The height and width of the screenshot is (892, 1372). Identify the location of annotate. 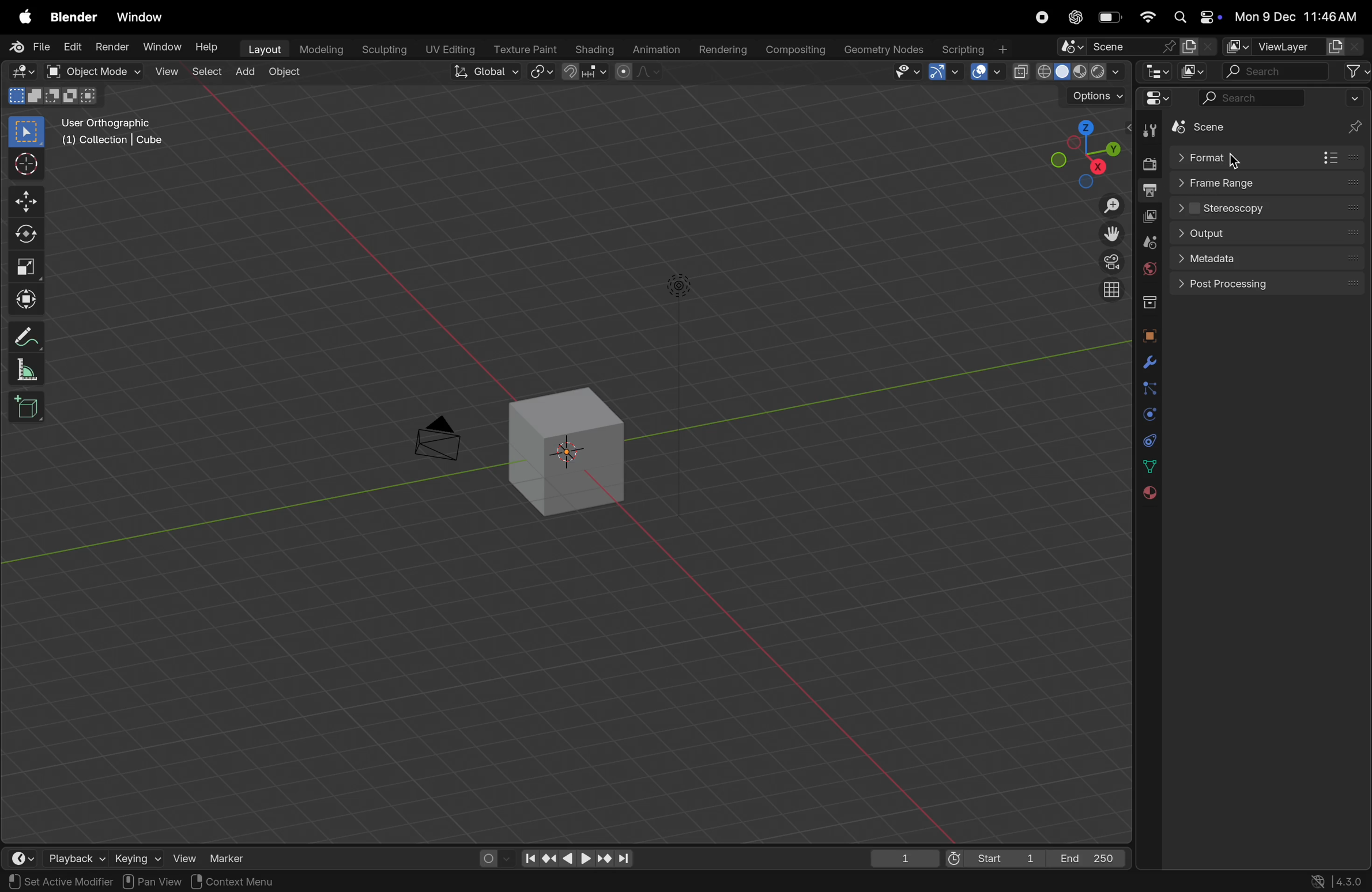
(24, 337).